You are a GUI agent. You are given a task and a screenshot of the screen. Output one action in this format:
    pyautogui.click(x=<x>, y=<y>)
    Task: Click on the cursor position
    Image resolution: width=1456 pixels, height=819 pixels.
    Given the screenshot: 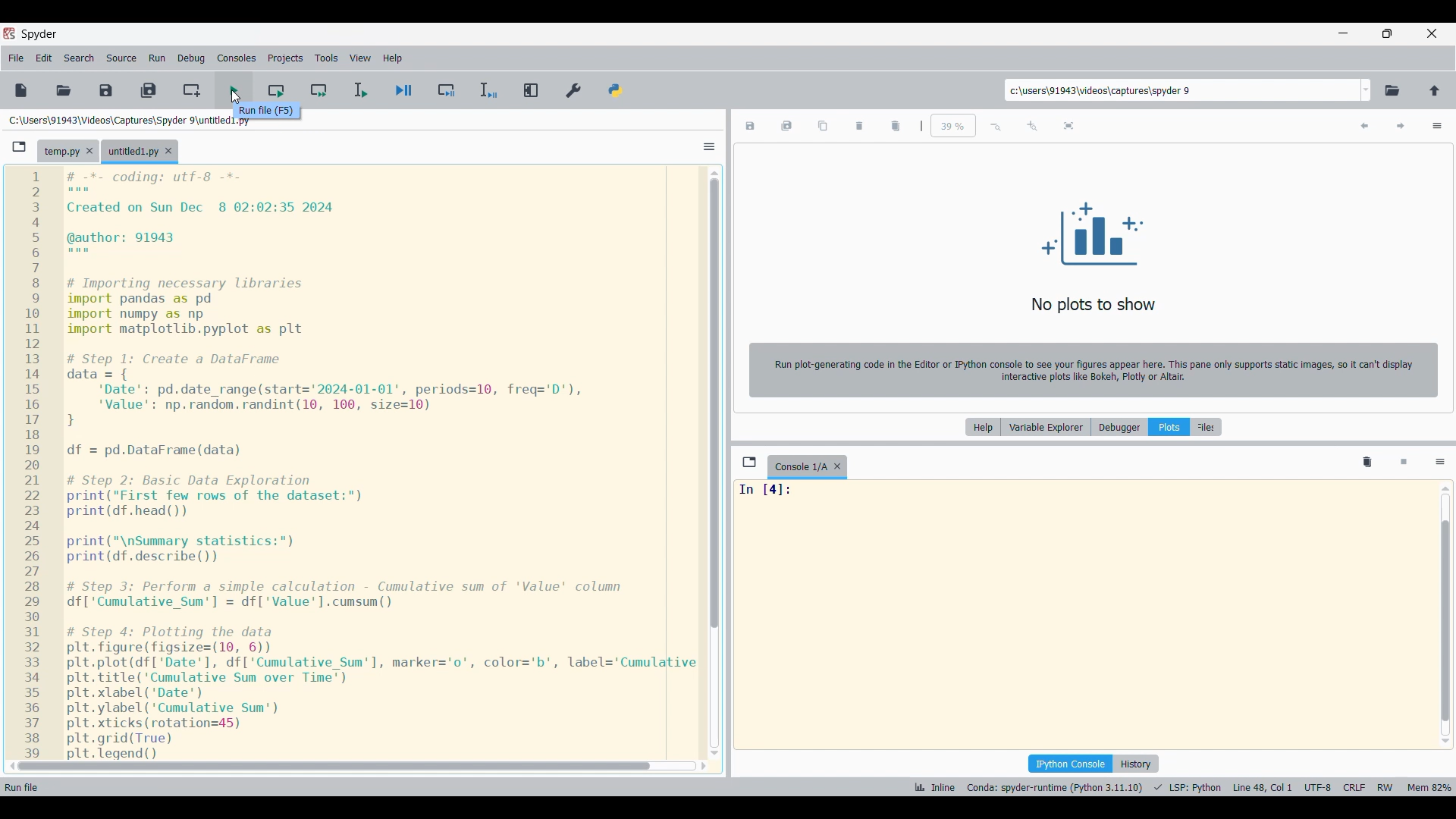 What is the action you would take?
    pyautogui.click(x=1260, y=787)
    